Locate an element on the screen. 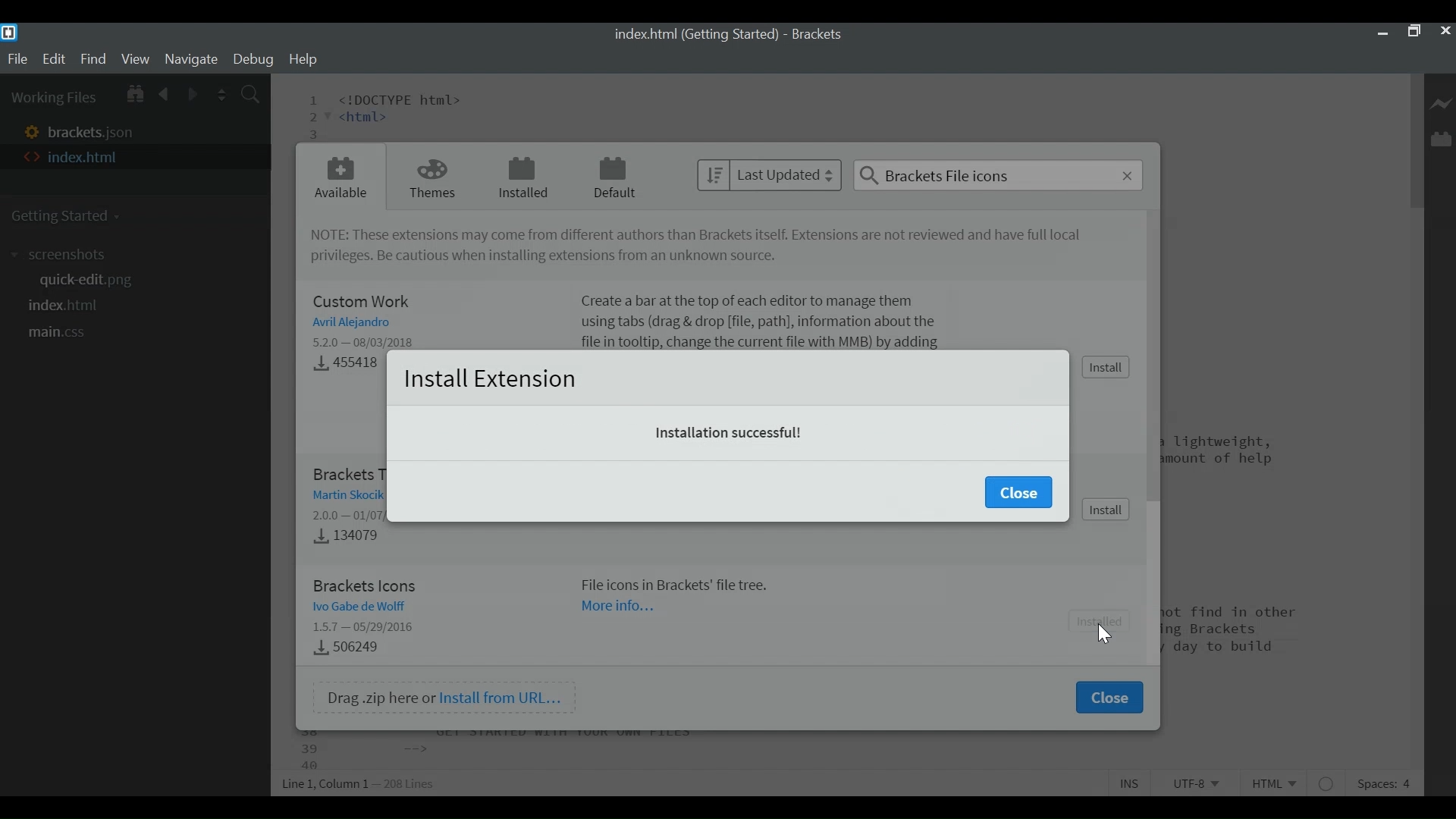  index.html (Getting started) - Brackets is located at coordinates (729, 36).